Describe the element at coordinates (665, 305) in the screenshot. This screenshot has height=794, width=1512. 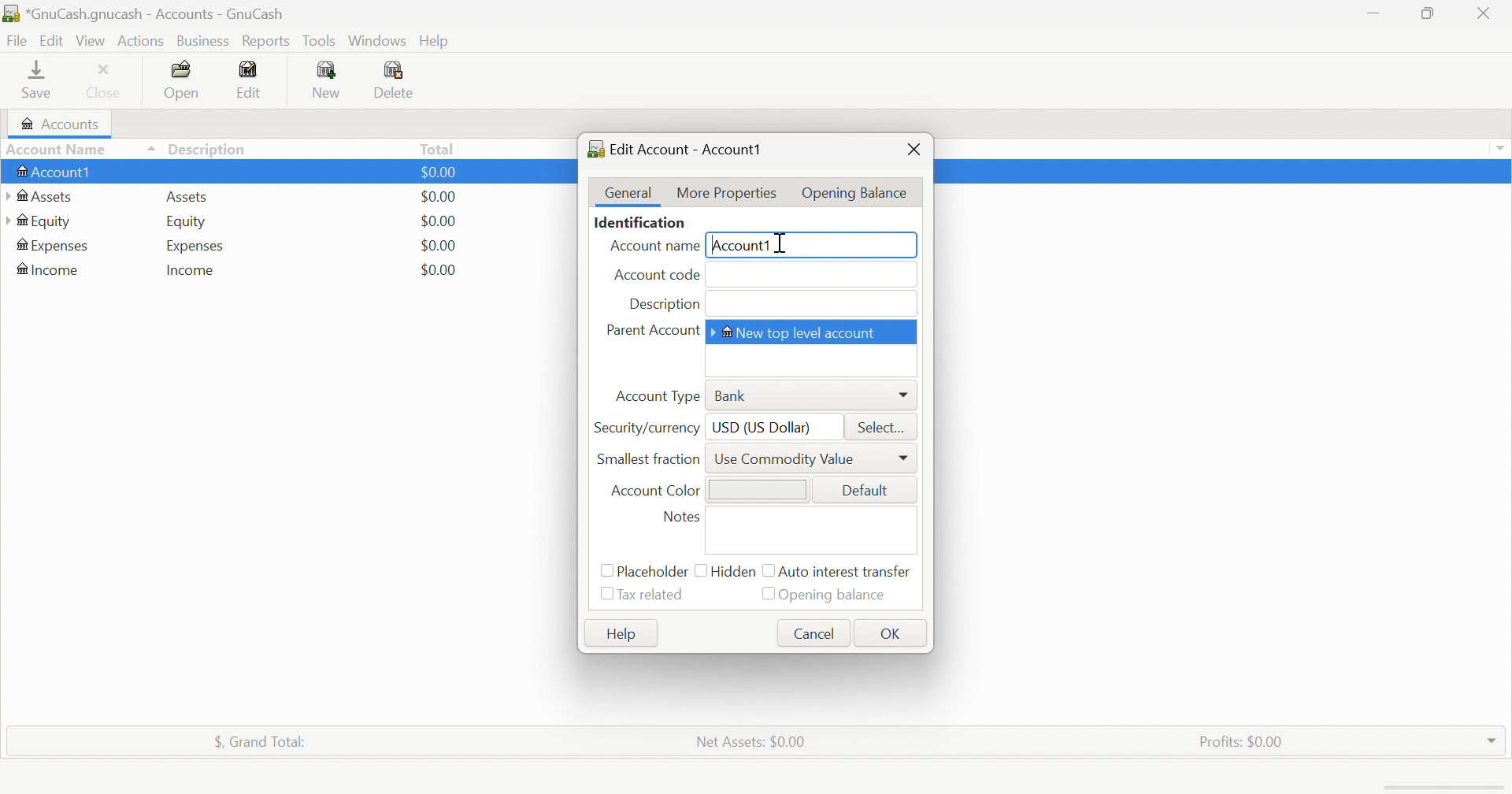
I see `Description` at that location.